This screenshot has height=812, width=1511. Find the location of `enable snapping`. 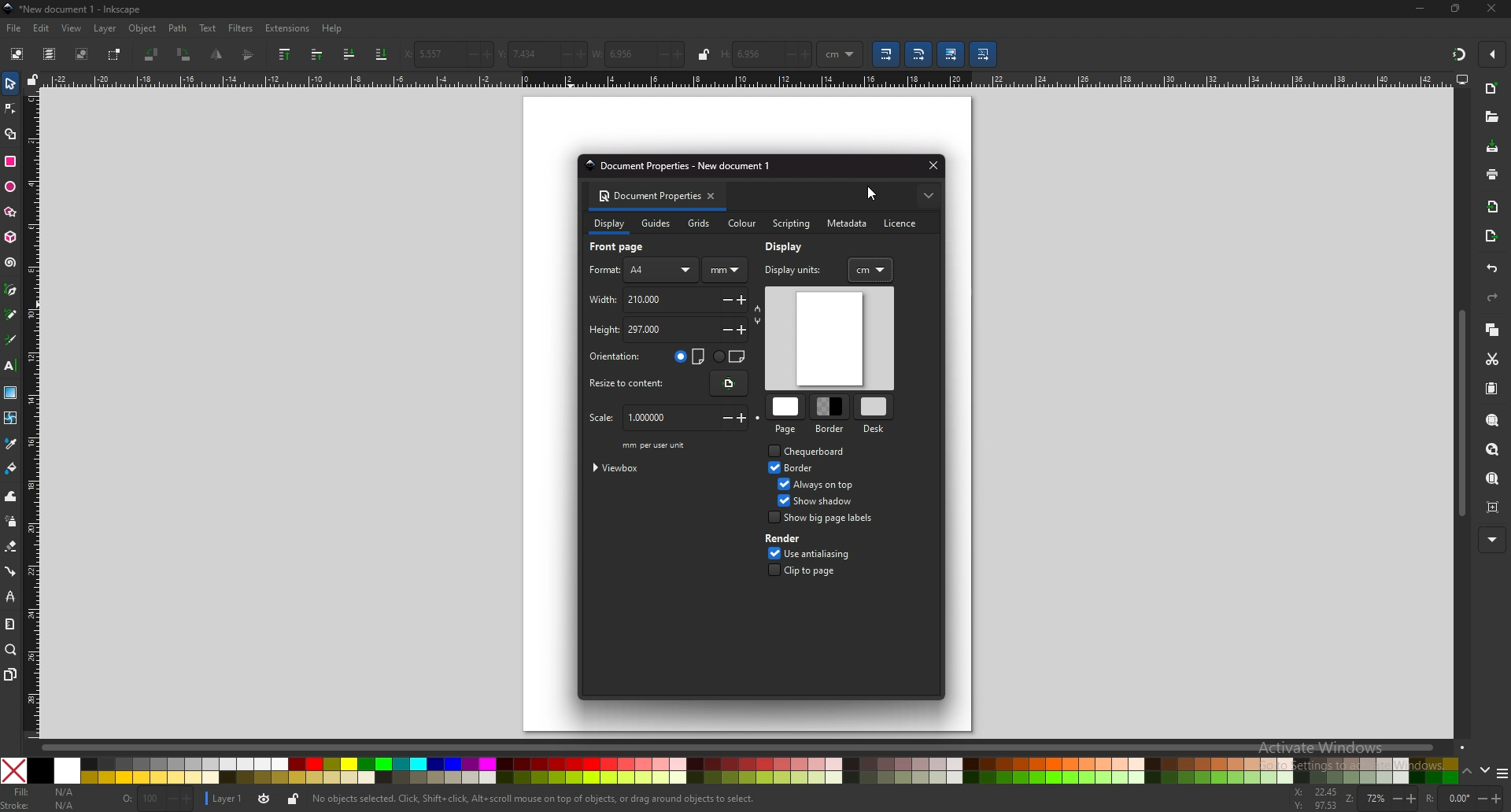

enable snapping is located at coordinates (1489, 54).